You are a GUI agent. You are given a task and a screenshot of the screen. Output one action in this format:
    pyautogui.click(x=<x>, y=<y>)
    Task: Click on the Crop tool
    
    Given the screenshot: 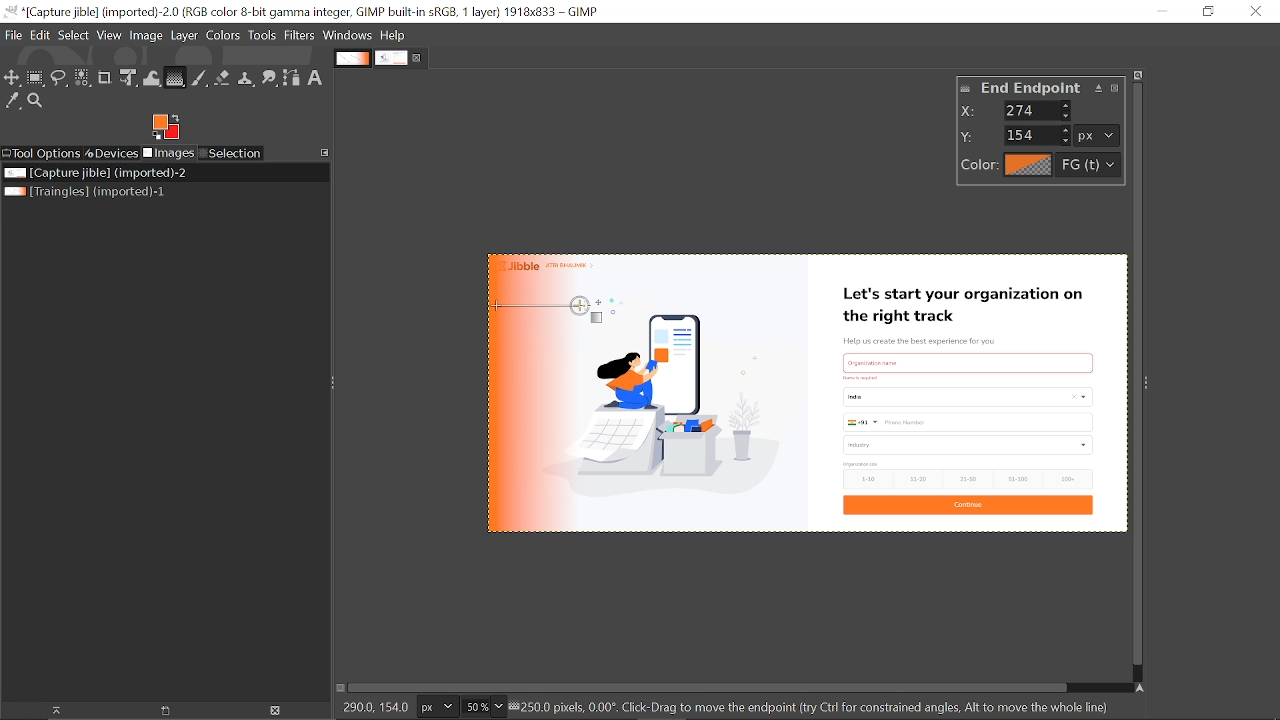 What is the action you would take?
    pyautogui.click(x=106, y=77)
    